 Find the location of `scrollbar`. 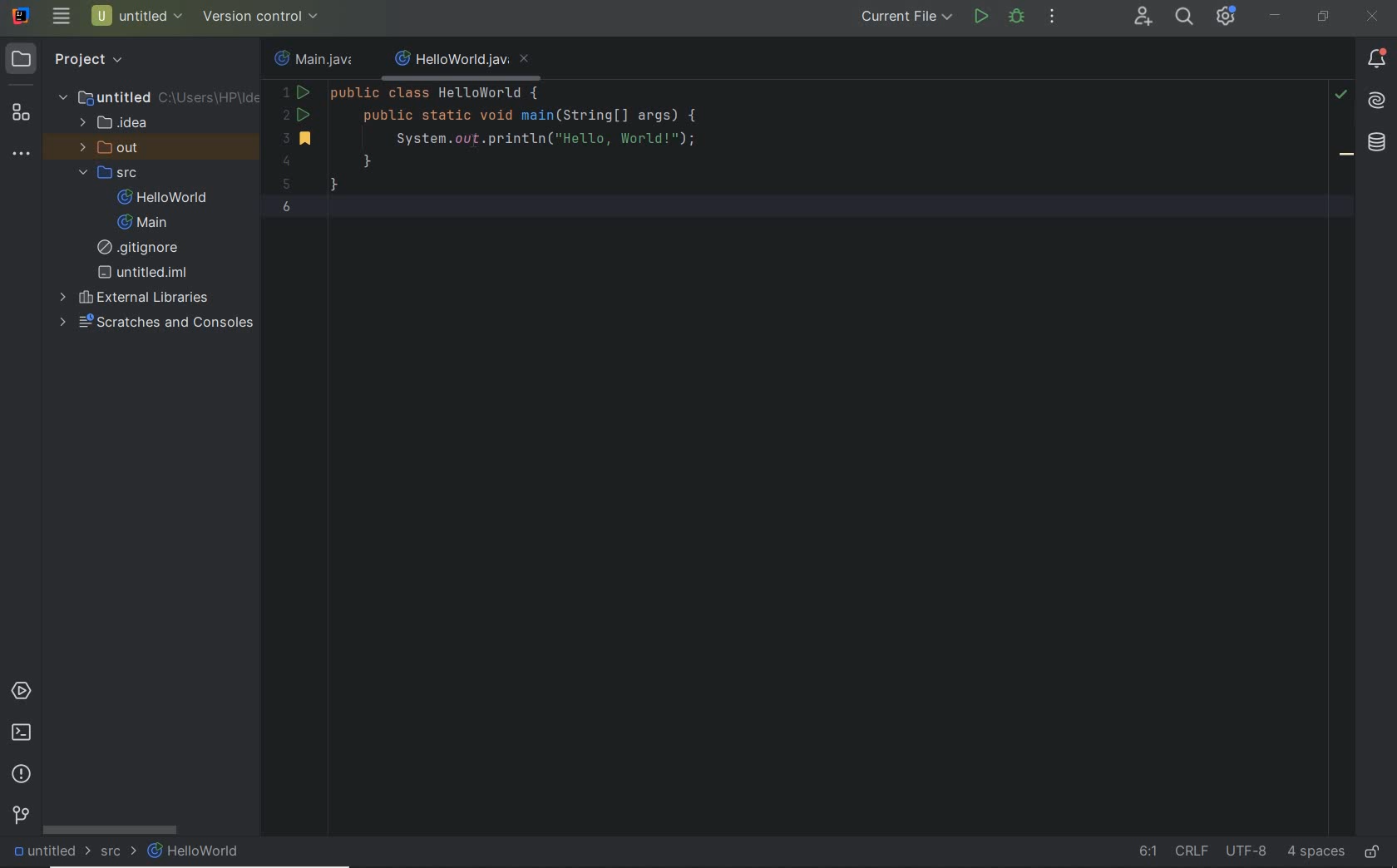

scrollbar is located at coordinates (110, 827).